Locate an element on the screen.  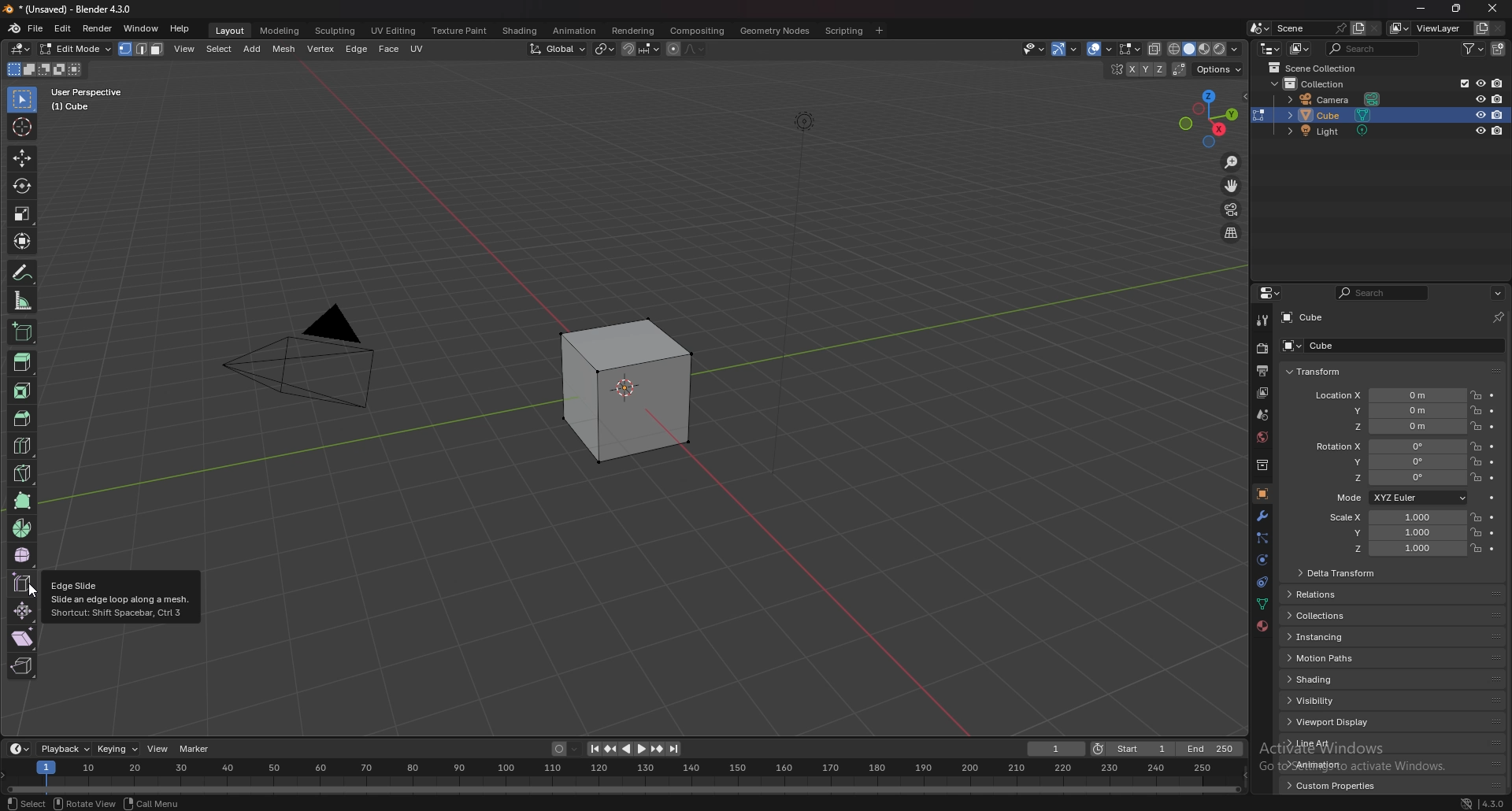
select is located at coordinates (183, 49).